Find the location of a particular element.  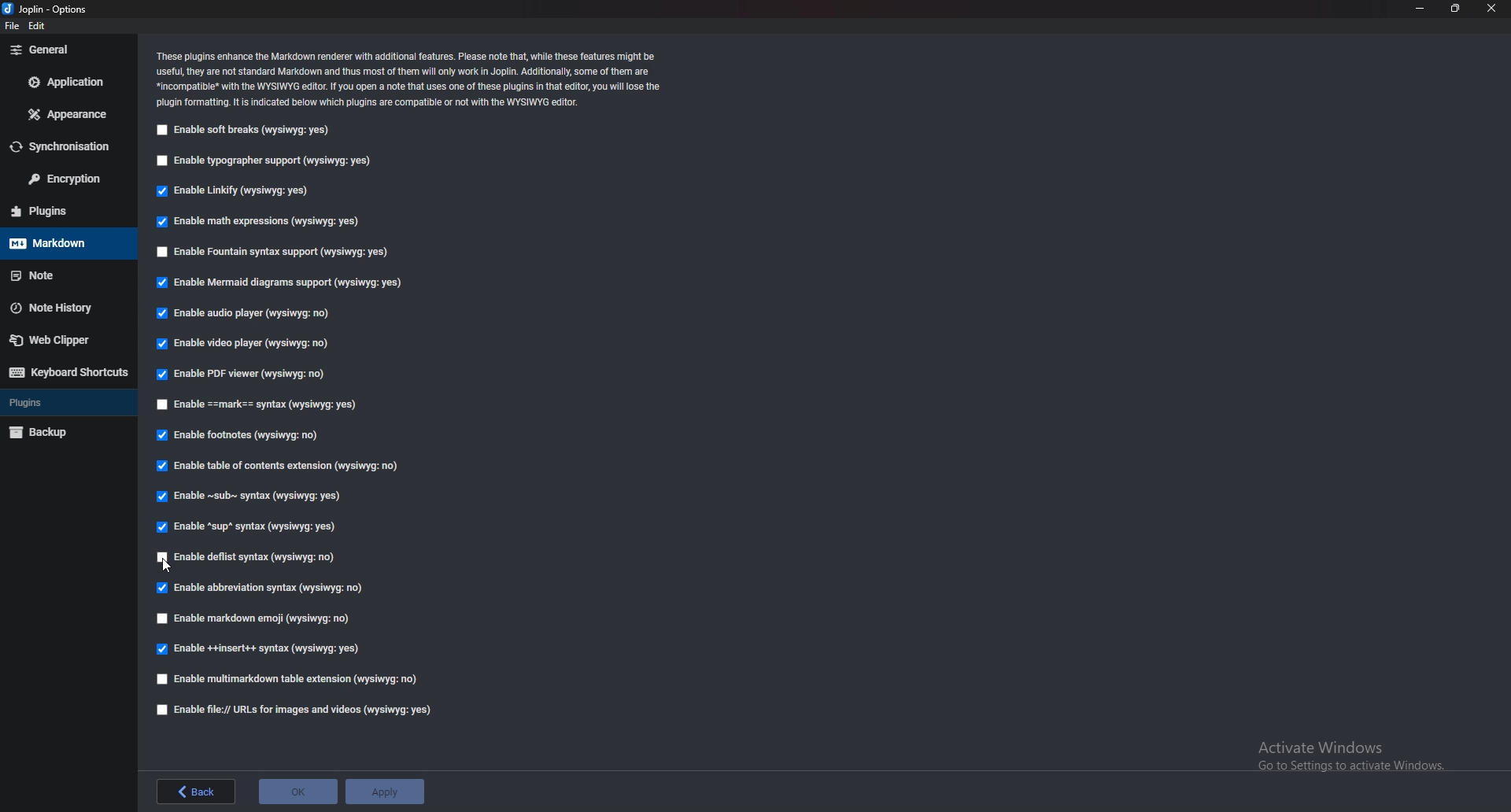

enable insert syntax is located at coordinates (259, 649).